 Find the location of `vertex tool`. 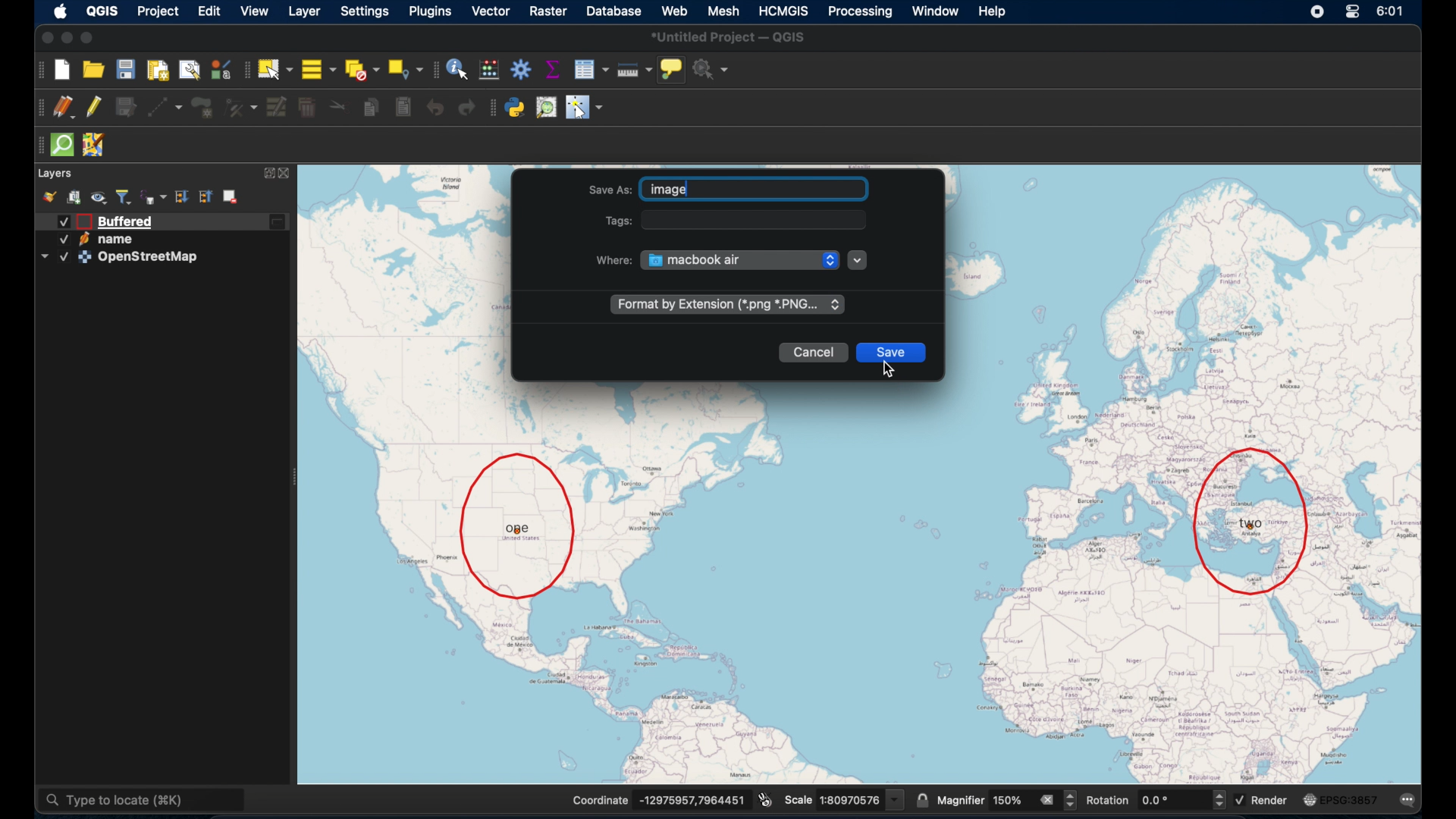

vertex tool is located at coordinates (240, 105).